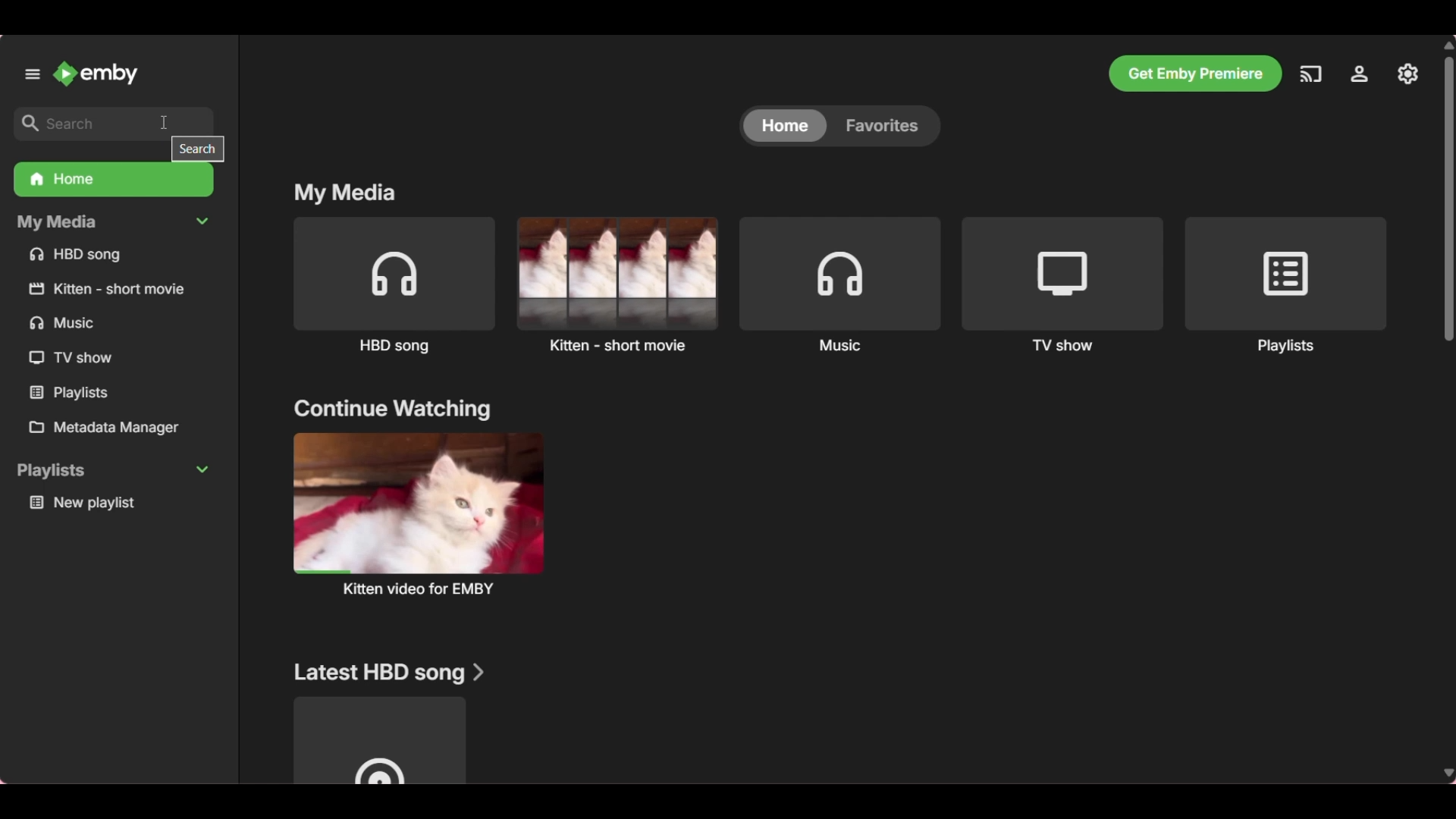 The image size is (1456, 819). Describe the element at coordinates (108, 256) in the screenshot. I see `HBD song` at that location.